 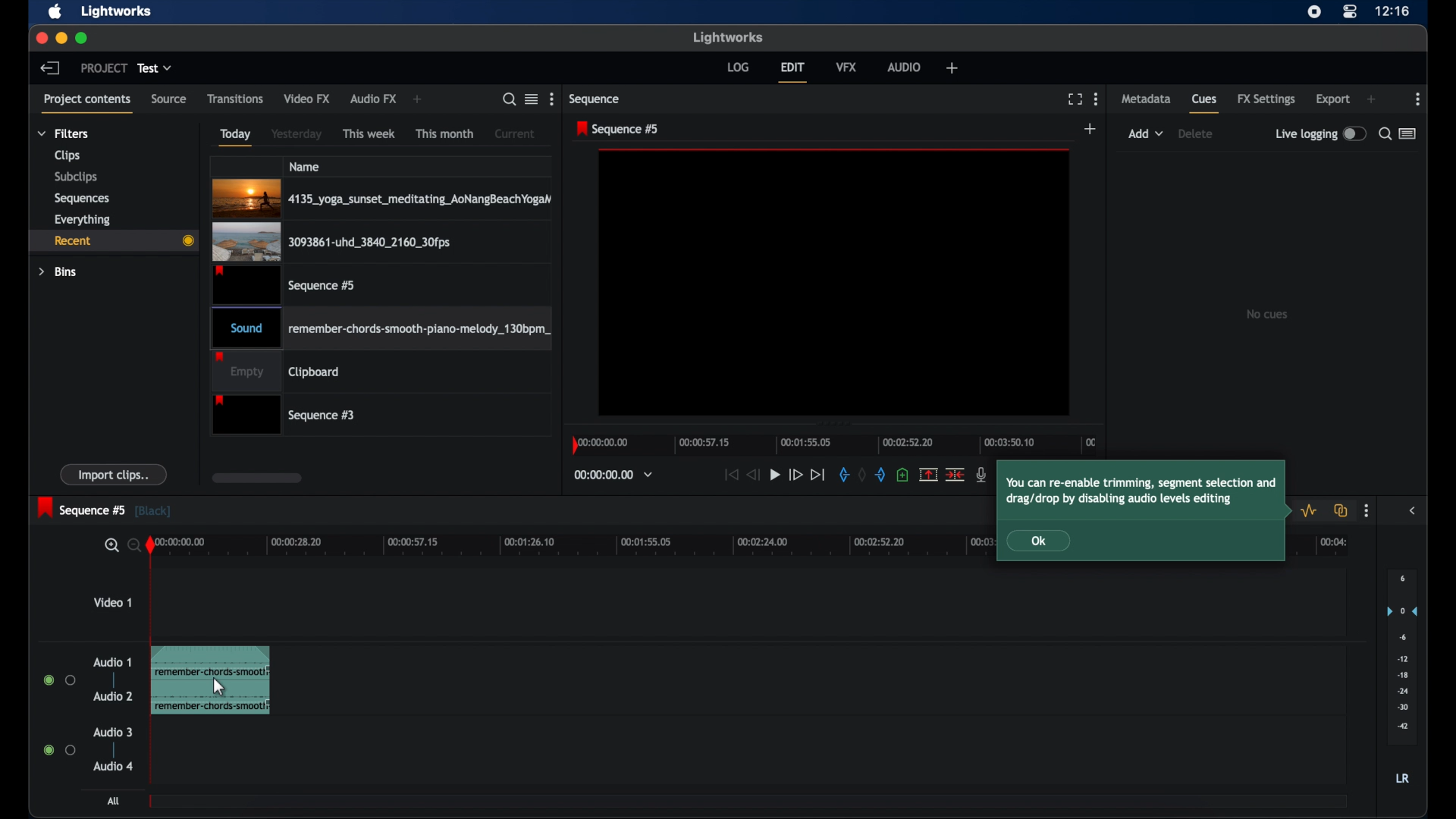 What do you see at coordinates (104, 508) in the screenshot?
I see `sequence 5` at bounding box center [104, 508].